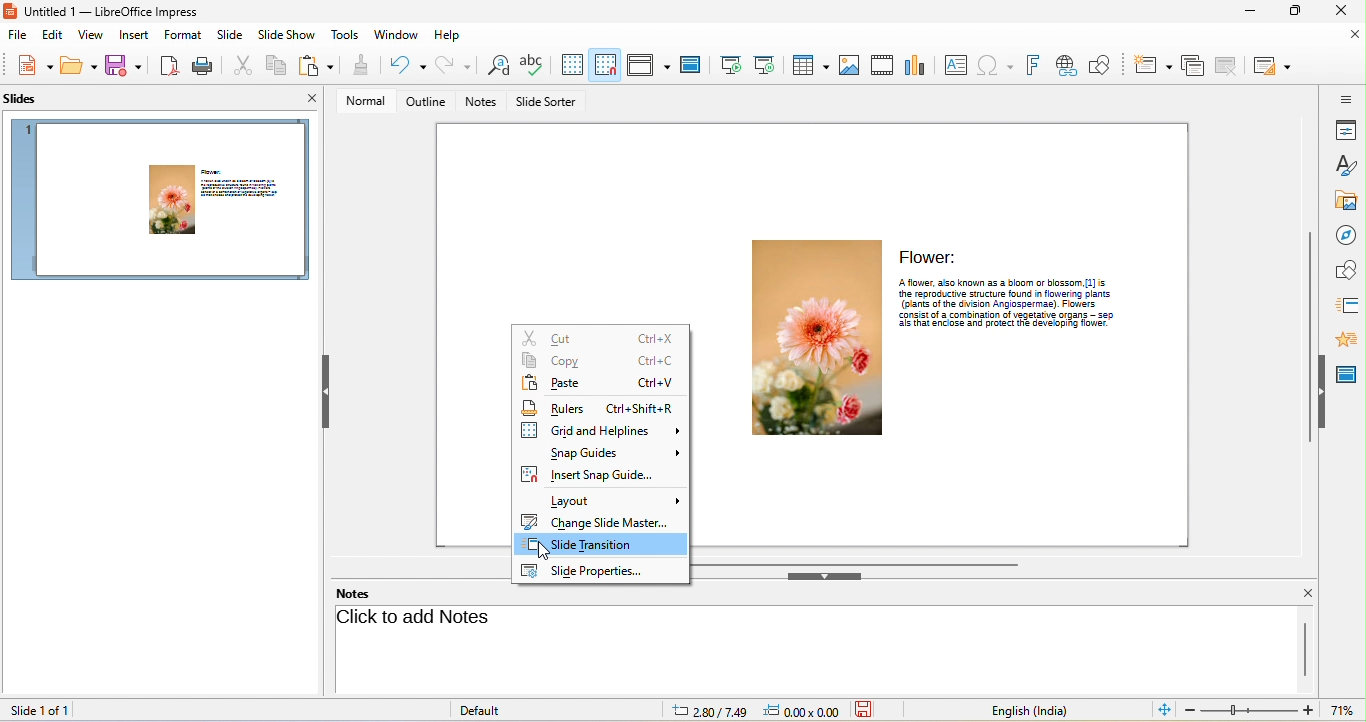 The height and width of the screenshot is (722, 1366). I want to click on normal, so click(363, 102).